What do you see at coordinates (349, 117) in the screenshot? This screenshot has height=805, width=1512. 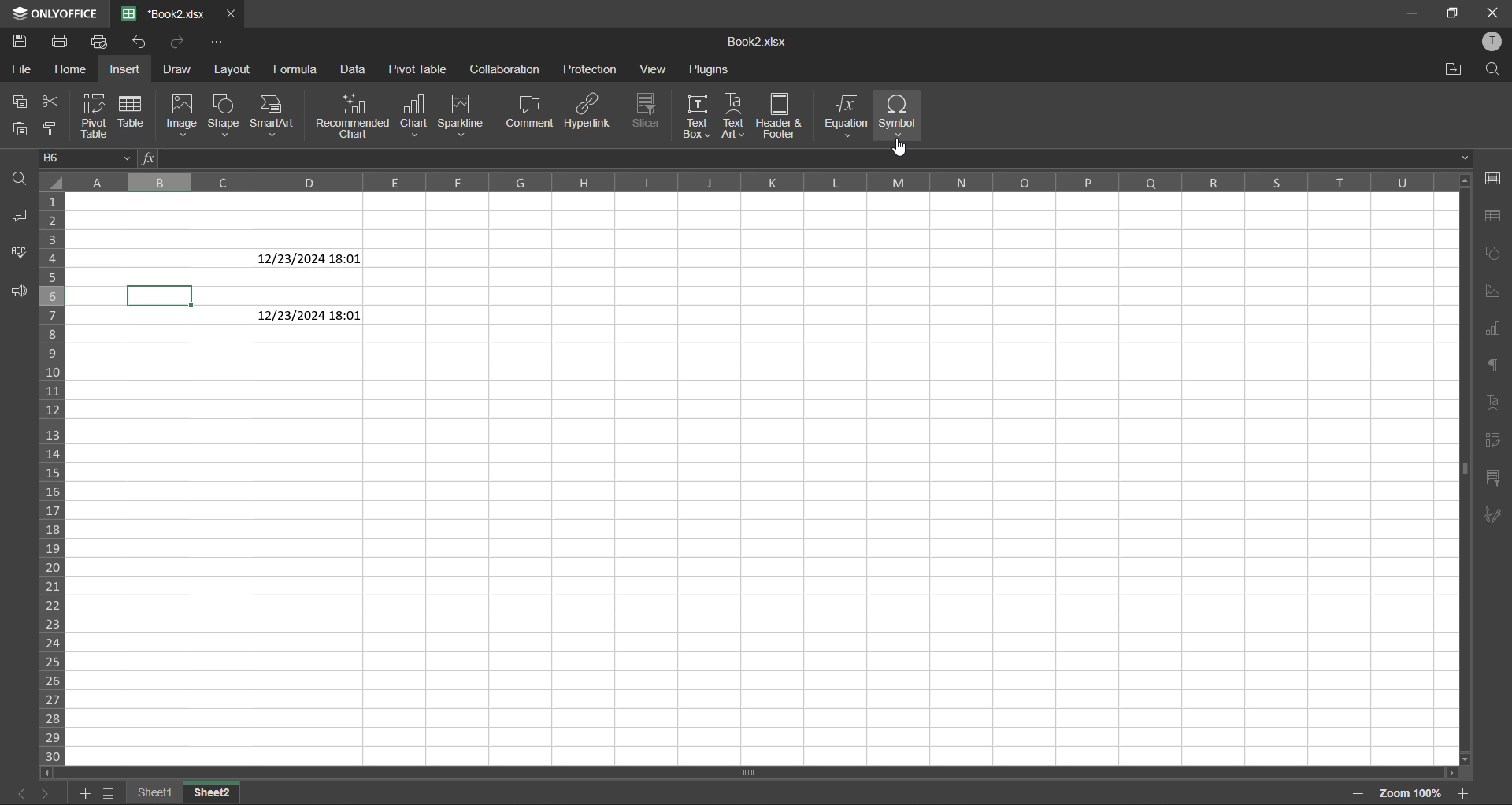 I see `recommended chart` at bounding box center [349, 117].